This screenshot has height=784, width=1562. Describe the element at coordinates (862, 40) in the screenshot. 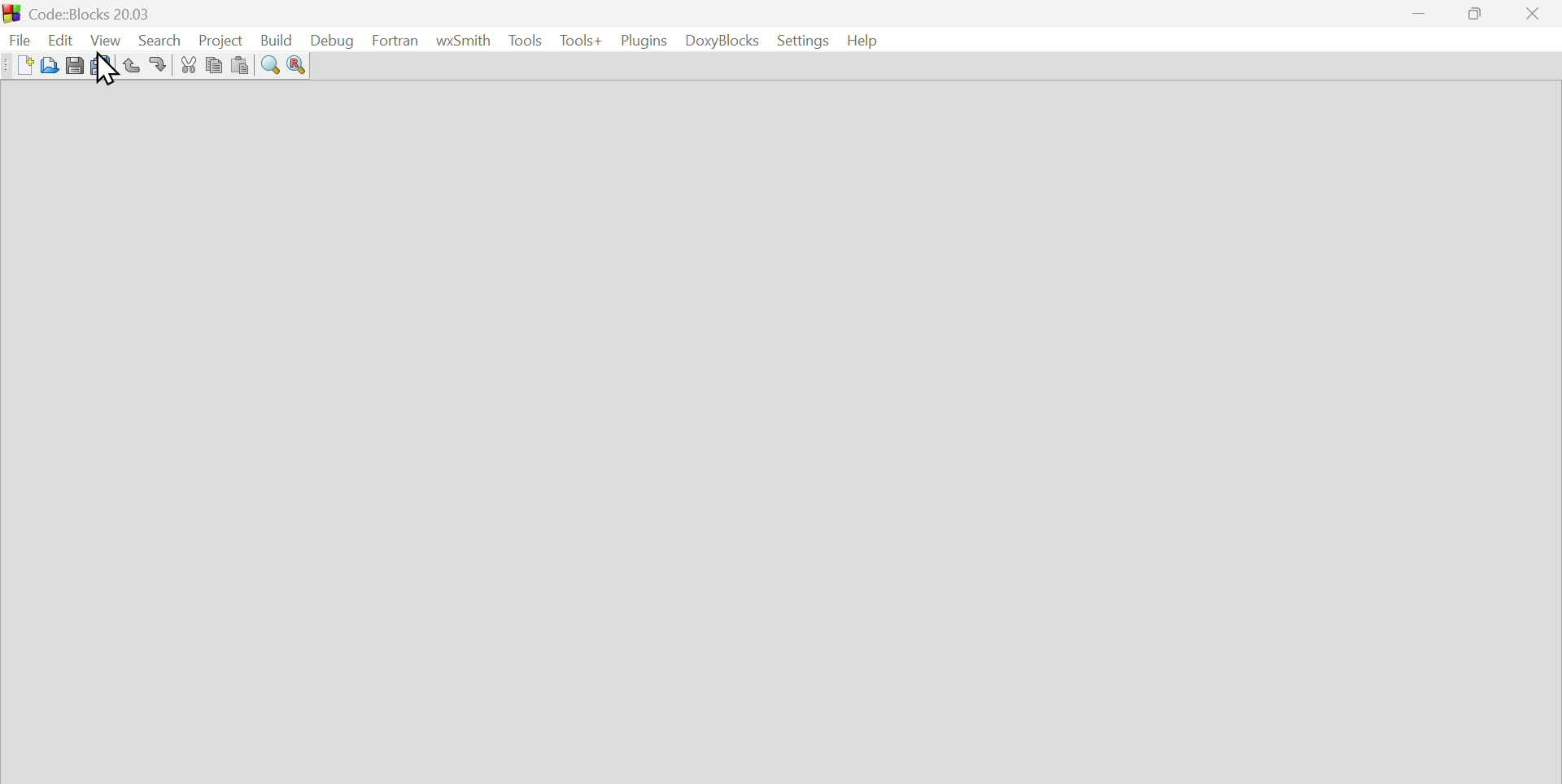

I see `Help` at that location.